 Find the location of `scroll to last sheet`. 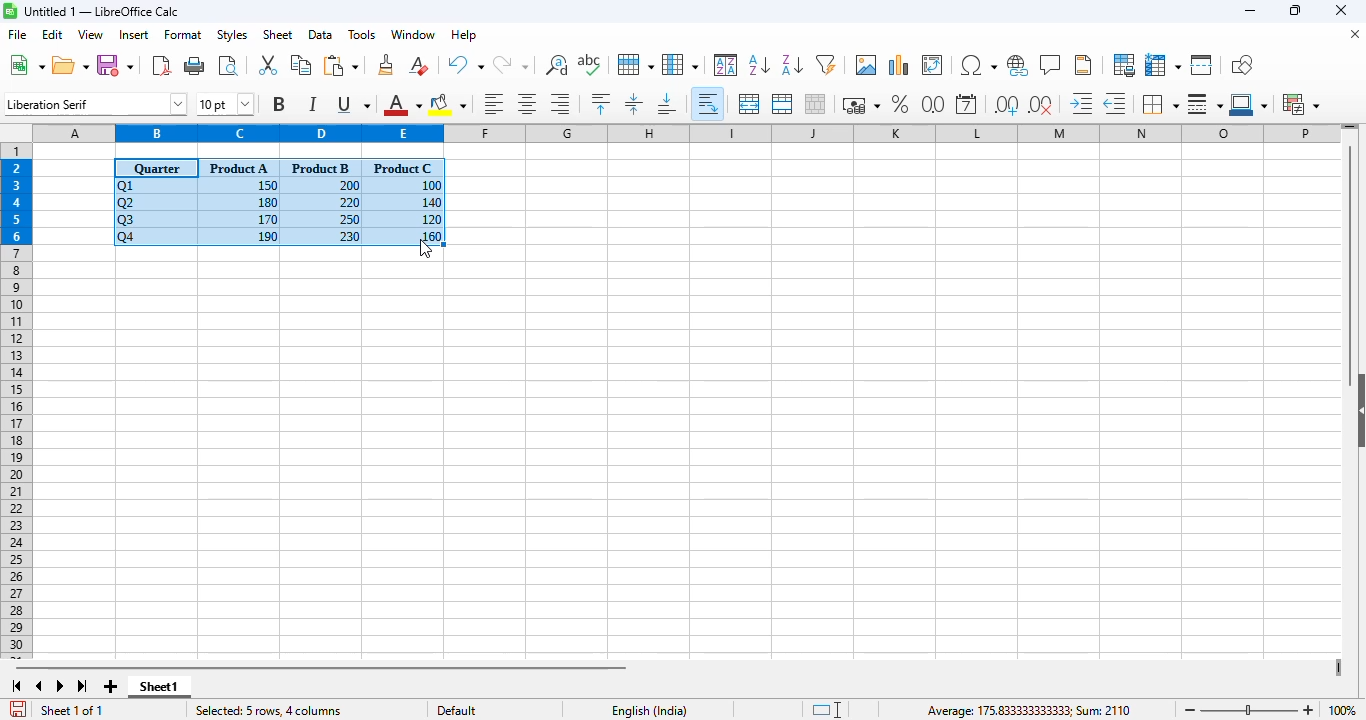

scroll to last sheet is located at coordinates (83, 687).